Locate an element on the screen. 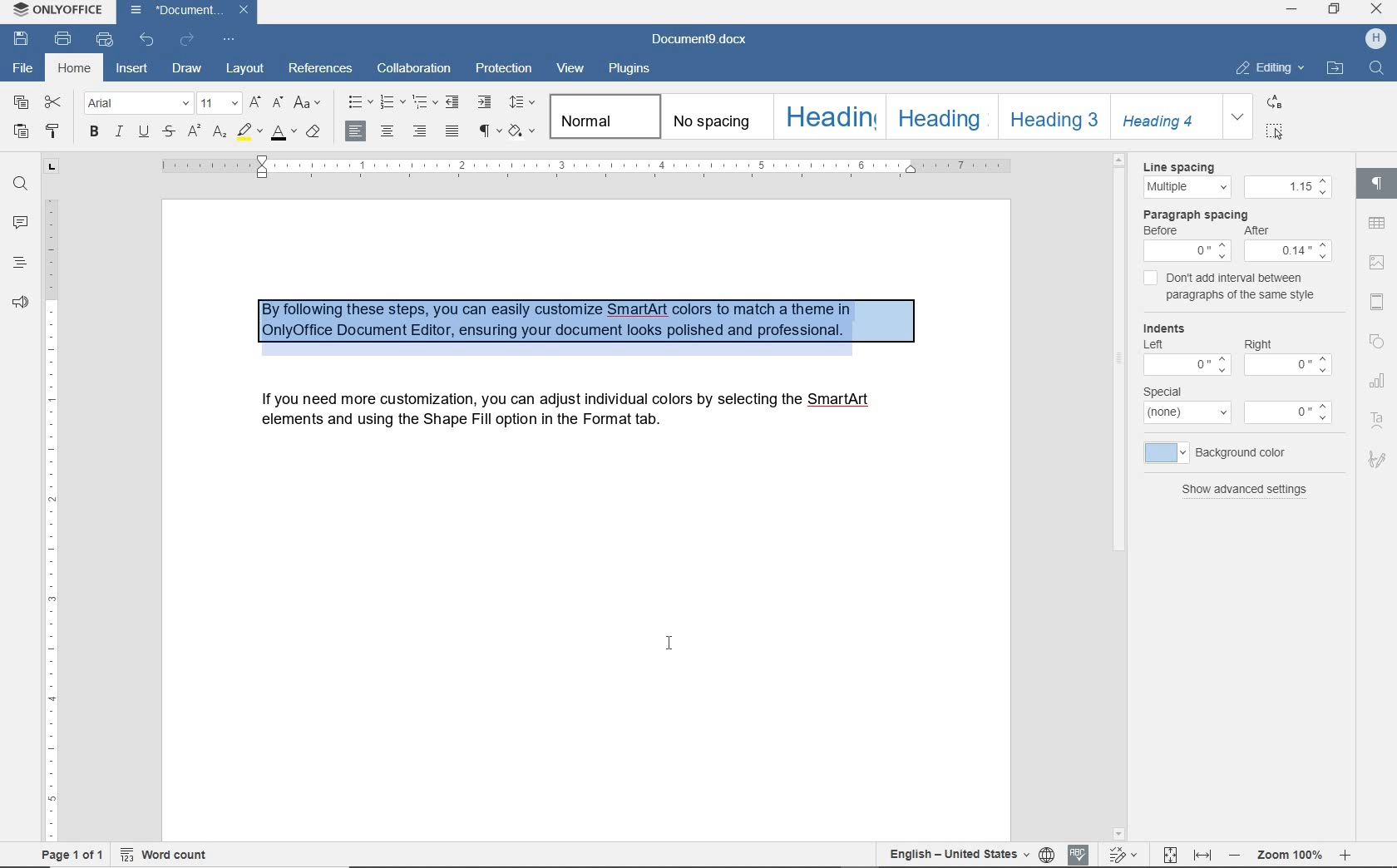  replace is located at coordinates (1272, 104).